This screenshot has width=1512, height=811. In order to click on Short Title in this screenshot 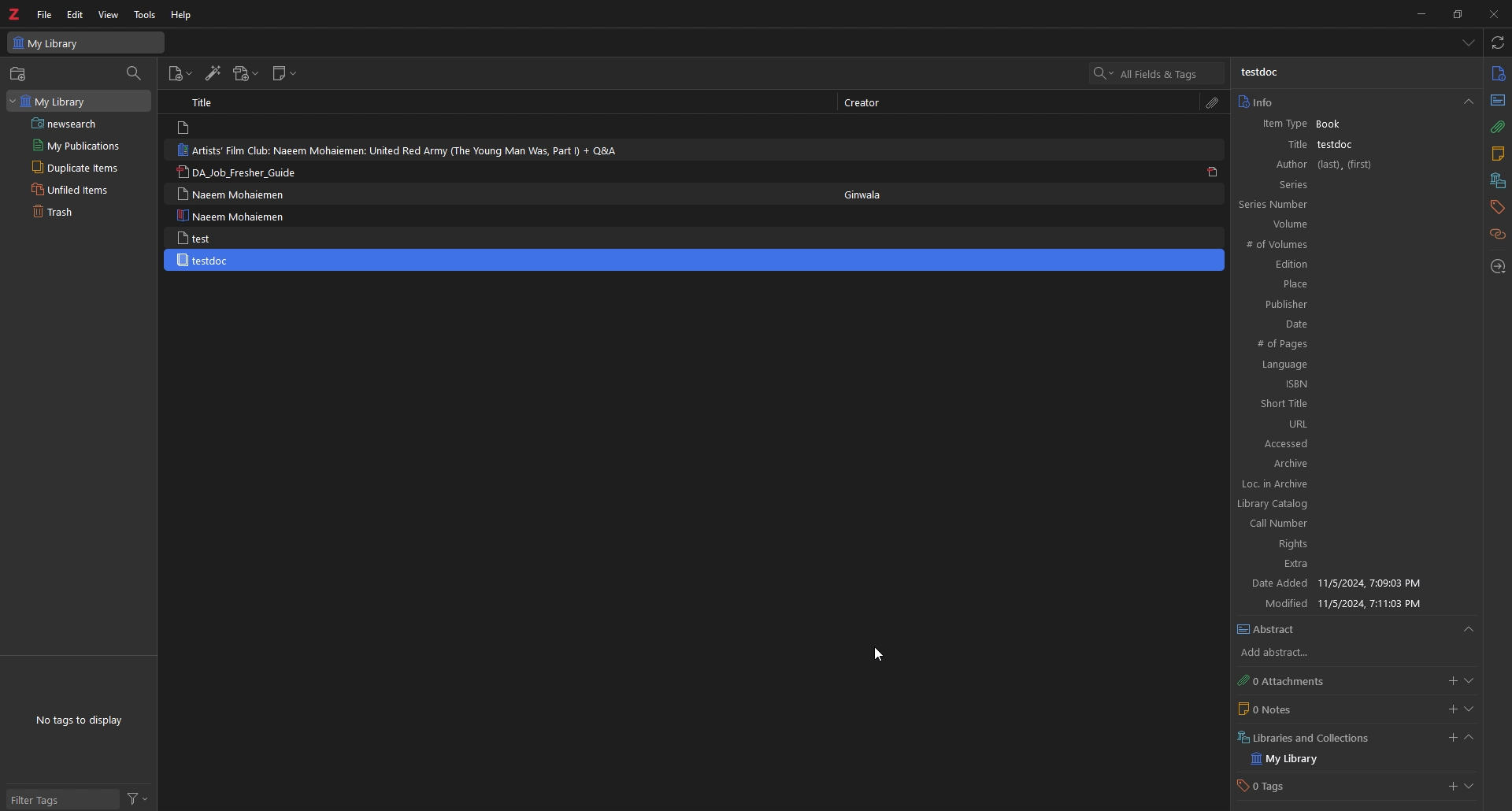, I will do `click(1353, 404)`.